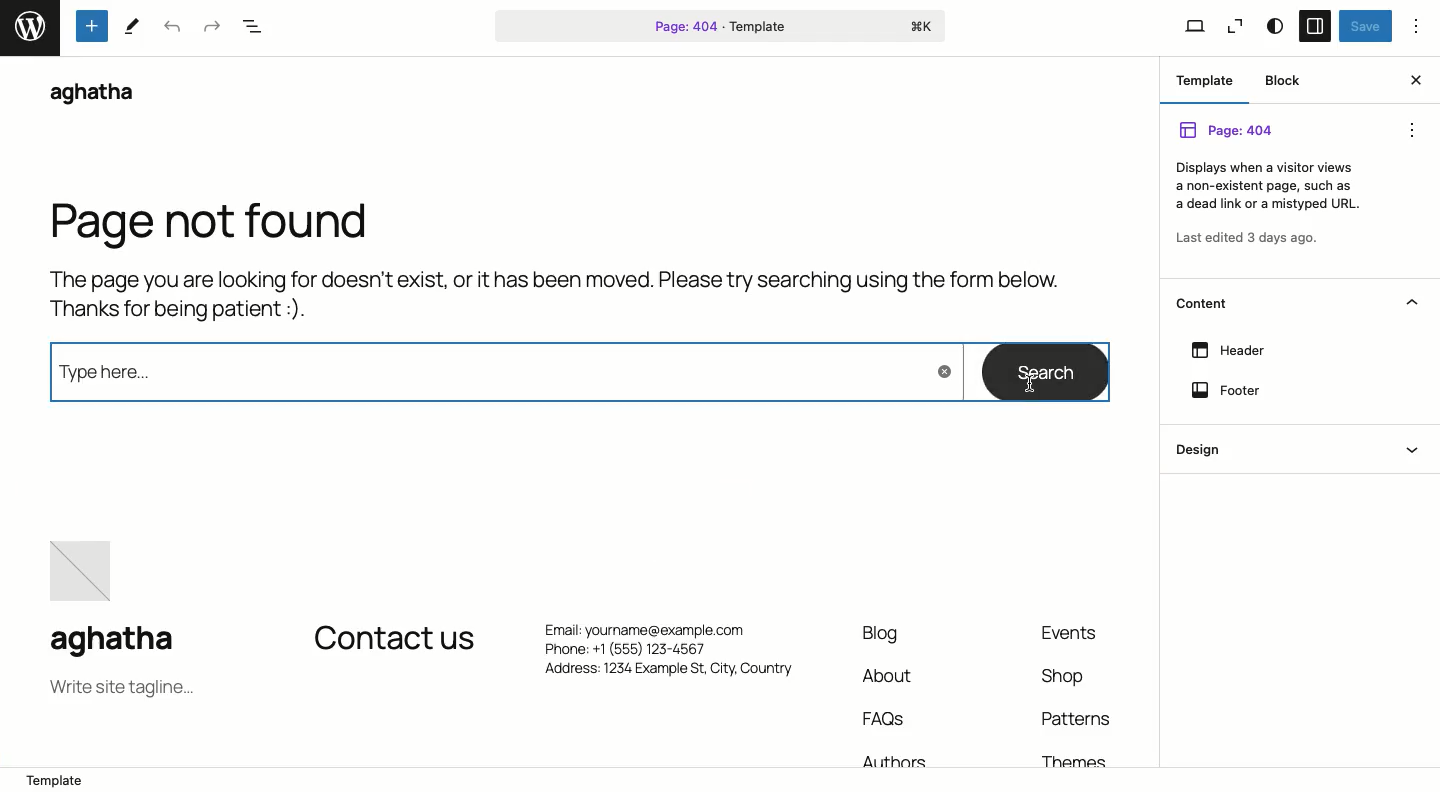 This screenshot has width=1440, height=792. Describe the element at coordinates (120, 689) in the screenshot. I see `Tagline` at that location.